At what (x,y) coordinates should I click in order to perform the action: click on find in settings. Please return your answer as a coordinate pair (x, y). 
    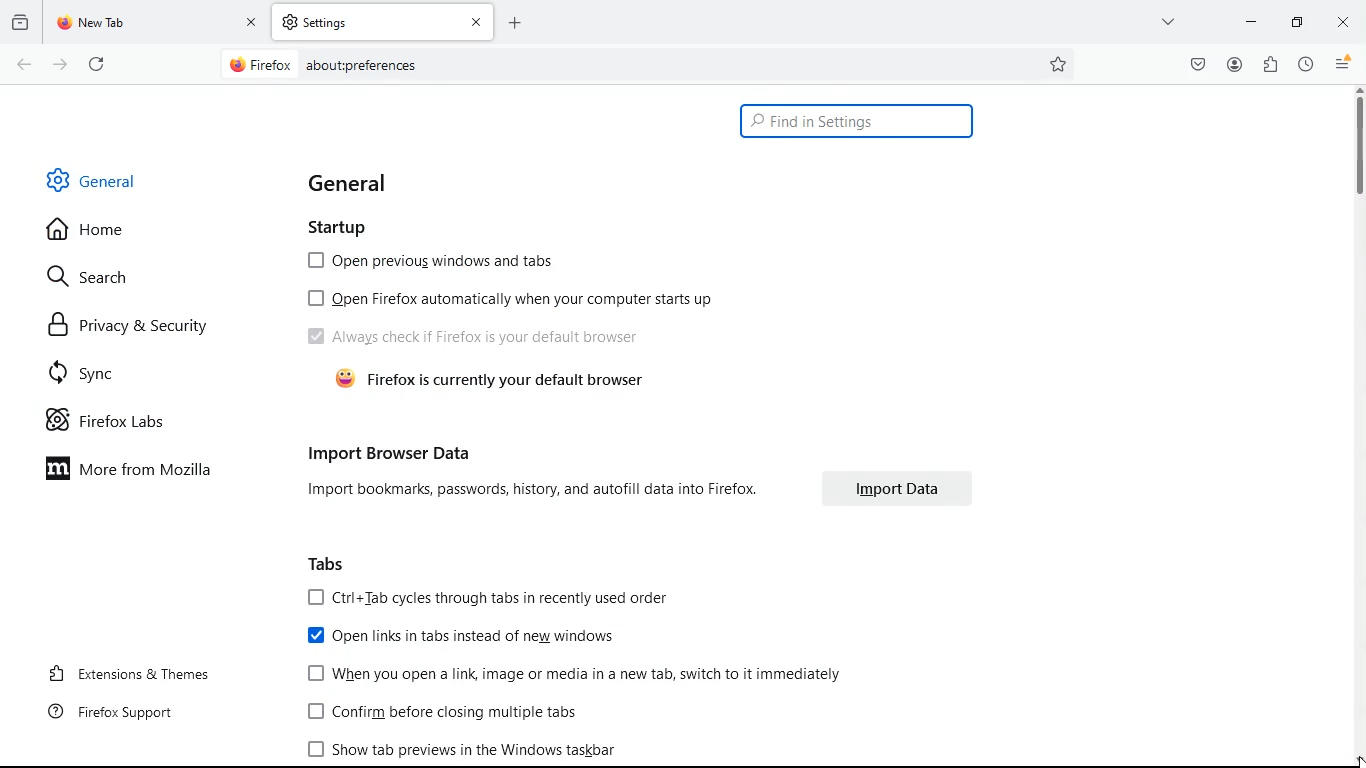
    Looking at the image, I should click on (856, 122).